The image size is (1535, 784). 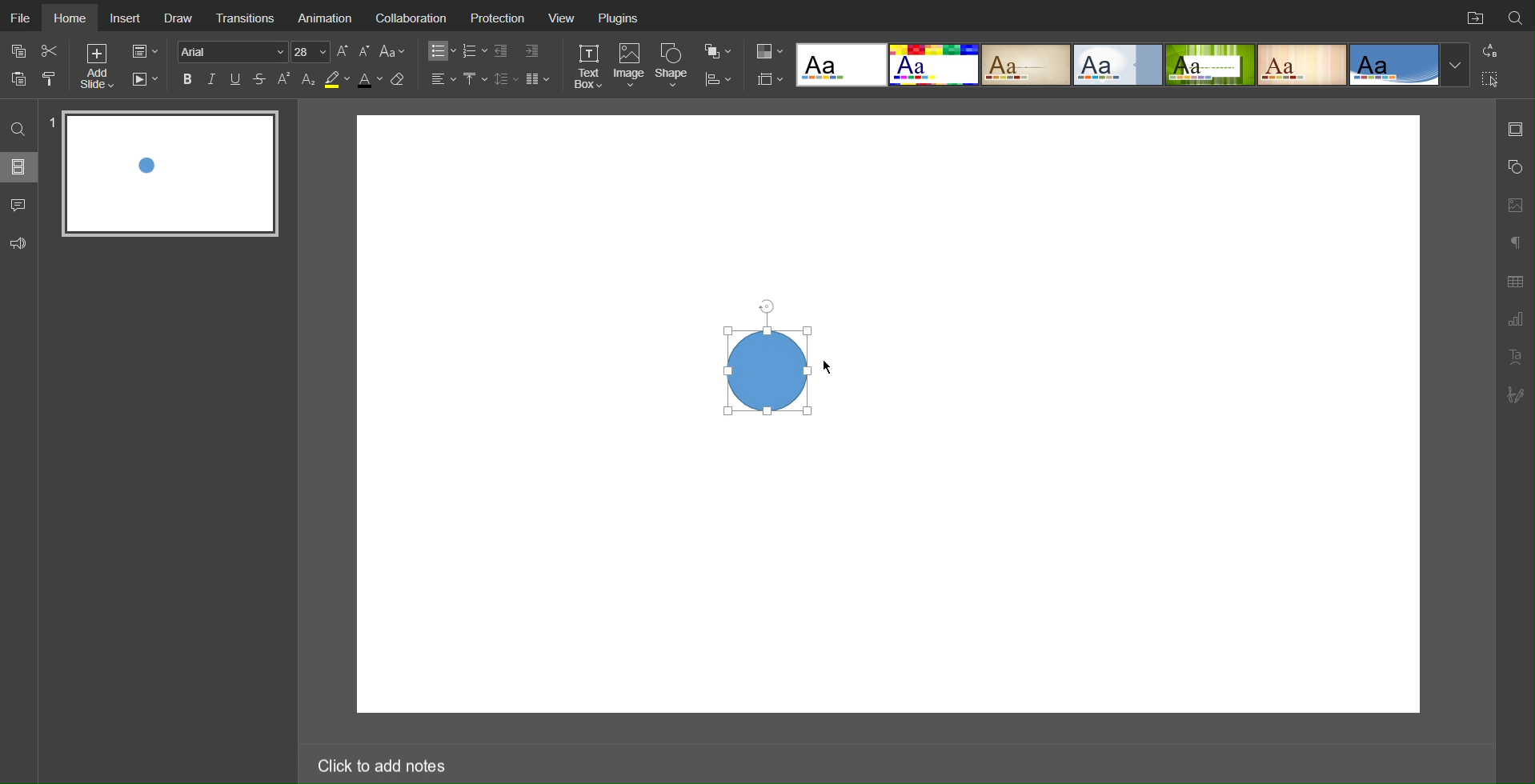 I want to click on Search, so click(x=1516, y=15).